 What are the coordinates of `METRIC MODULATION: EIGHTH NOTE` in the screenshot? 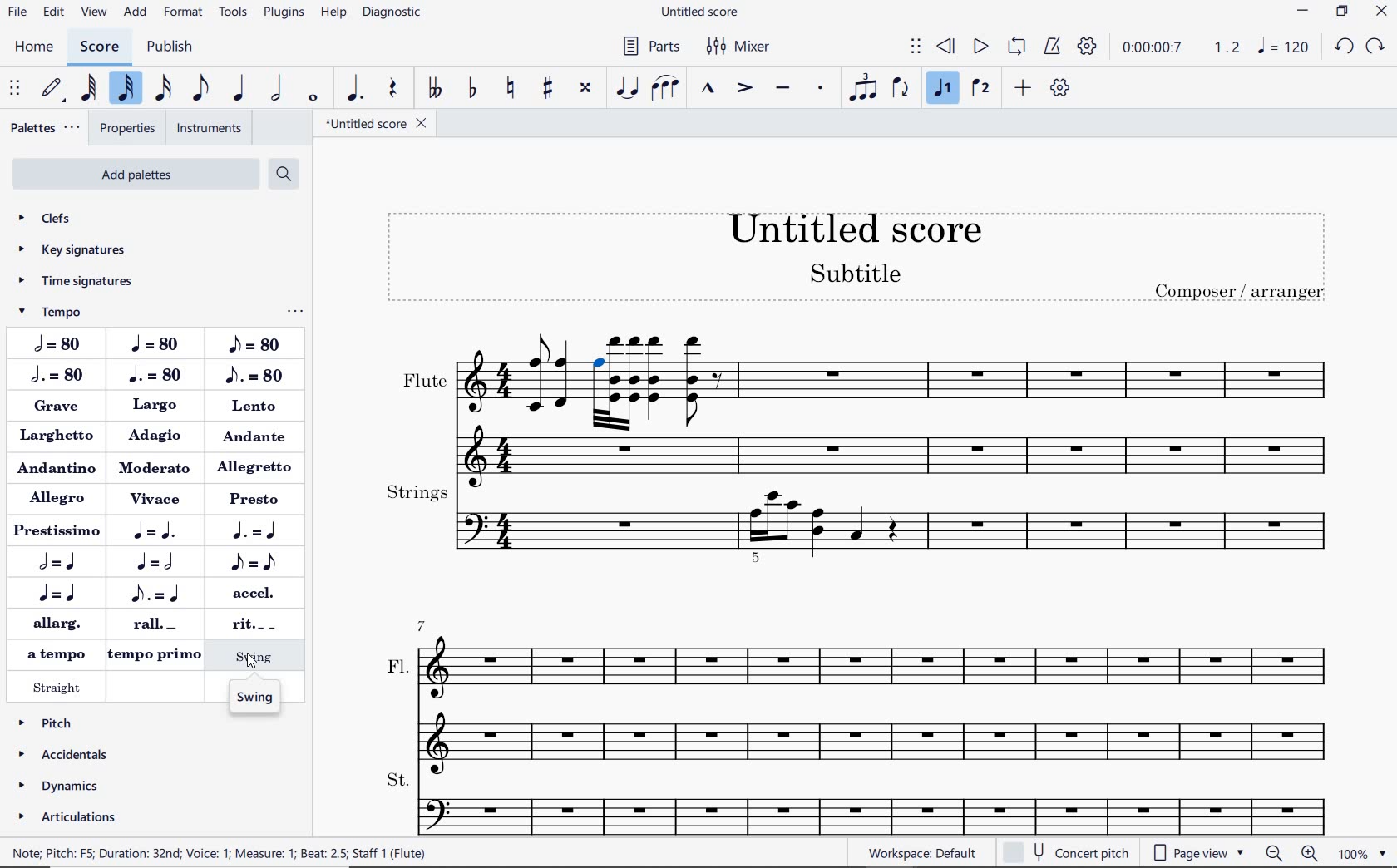 It's located at (252, 562).